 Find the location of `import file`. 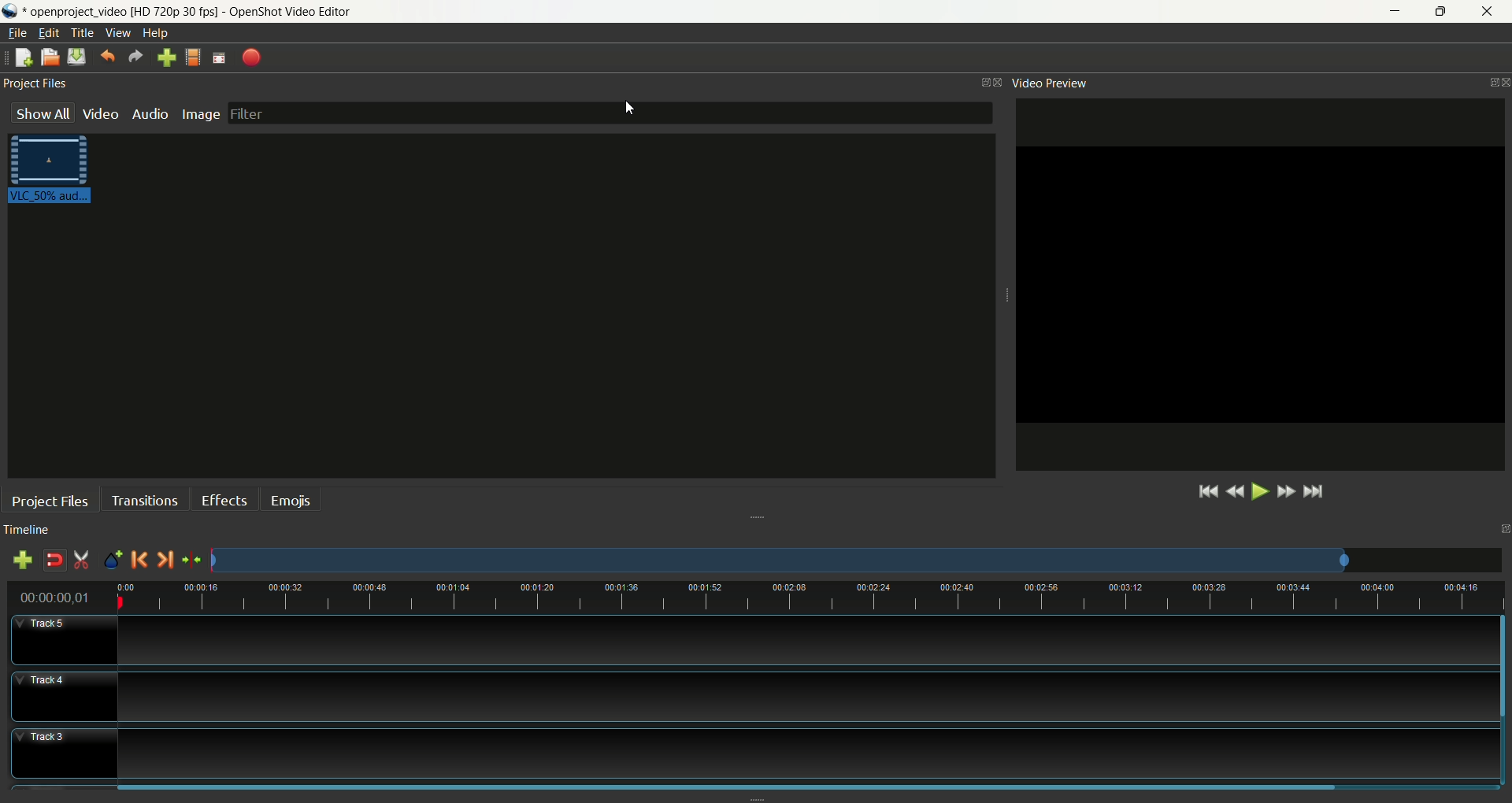

import file is located at coordinates (166, 58).